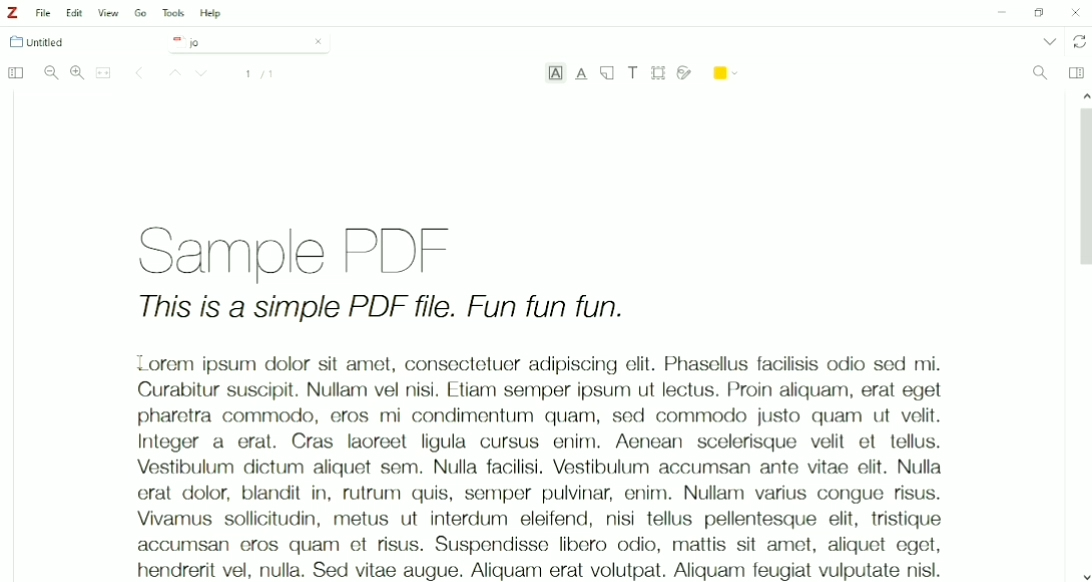 The width and height of the screenshot is (1092, 582). What do you see at coordinates (46, 42) in the screenshot?
I see `Untitled` at bounding box center [46, 42].